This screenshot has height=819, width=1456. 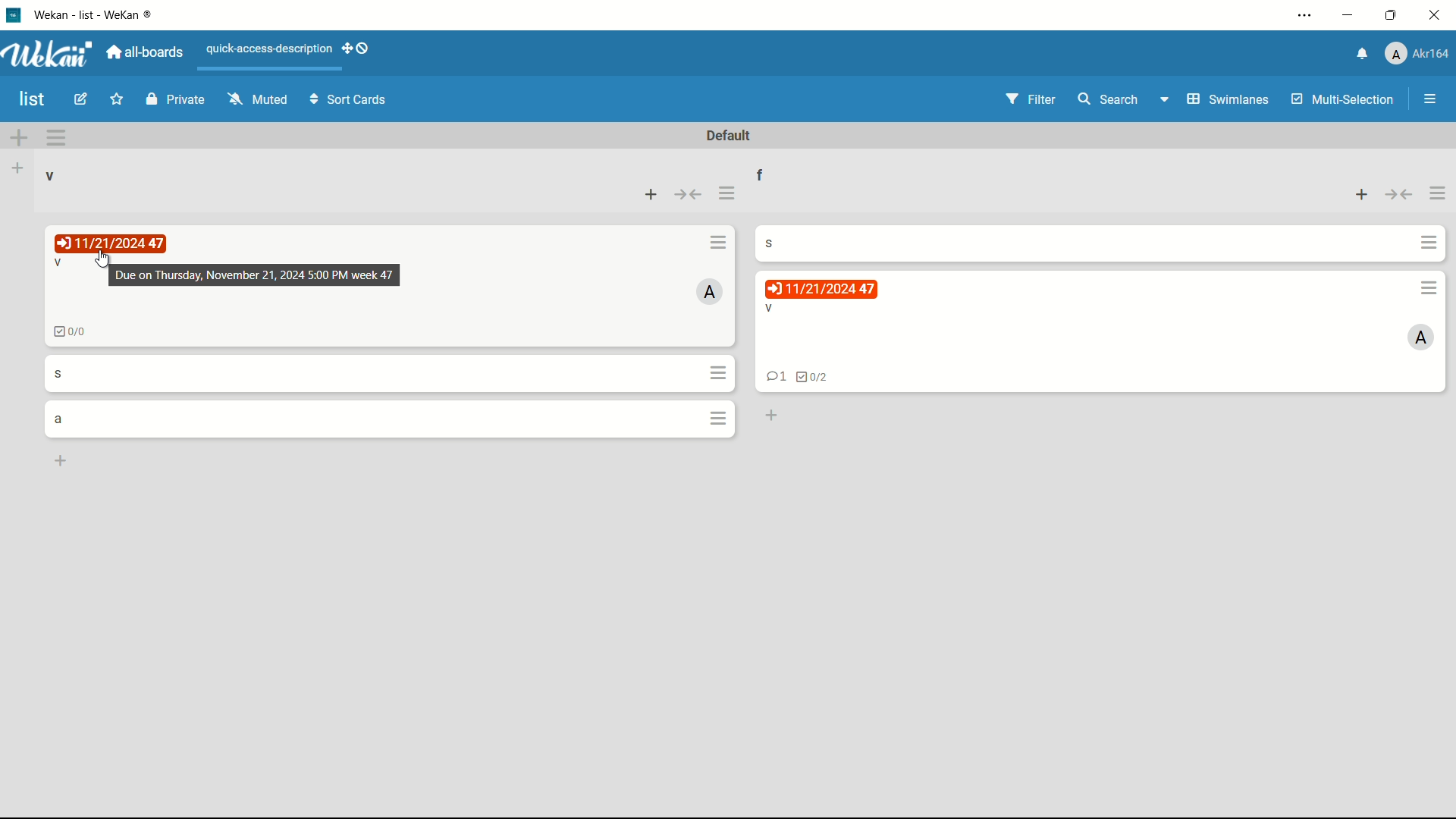 What do you see at coordinates (20, 136) in the screenshot?
I see `add swimlane` at bounding box center [20, 136].